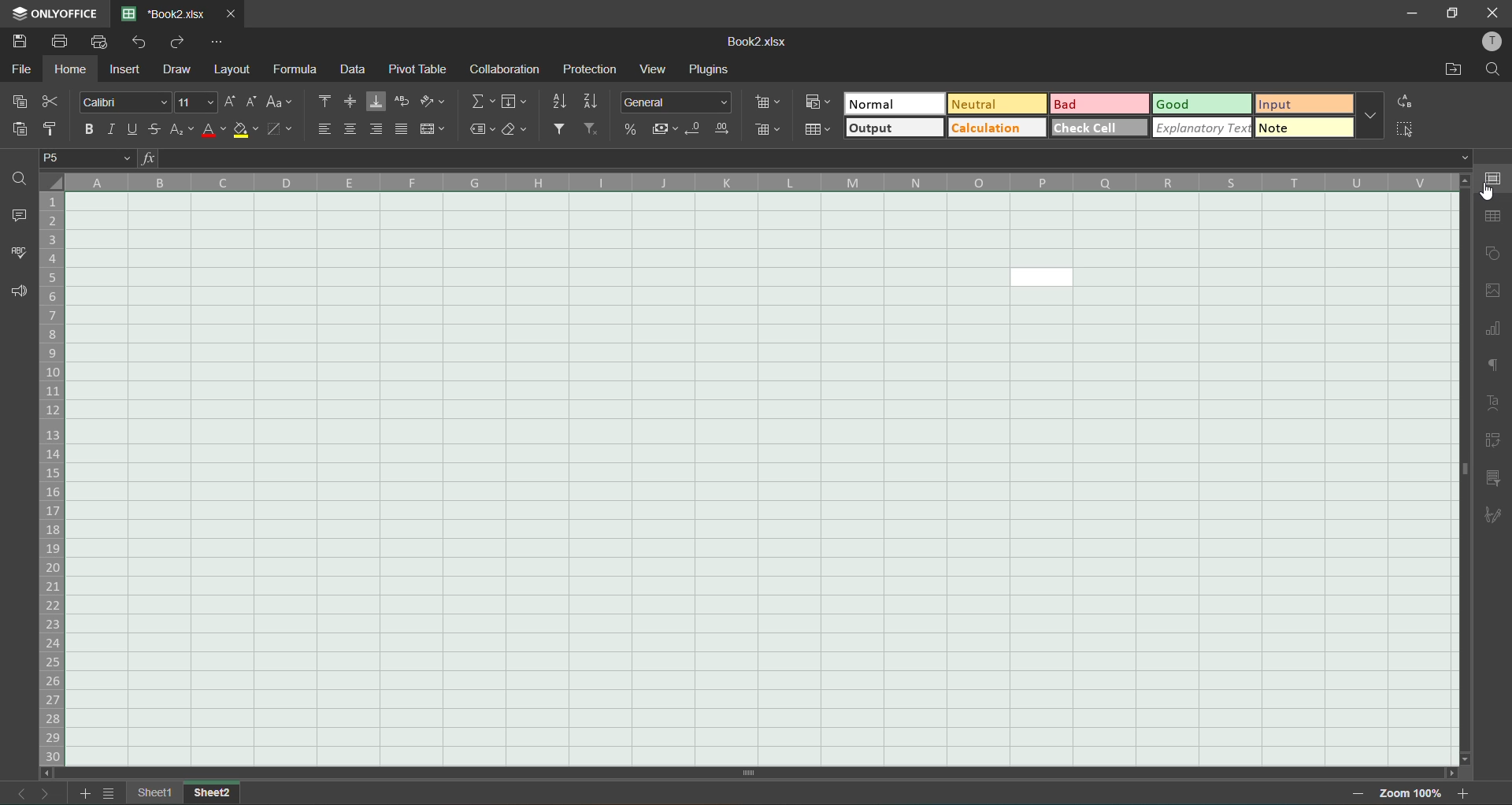 This screenshot has height=805, width=1512. I want to click on close, so click(1496, 12).